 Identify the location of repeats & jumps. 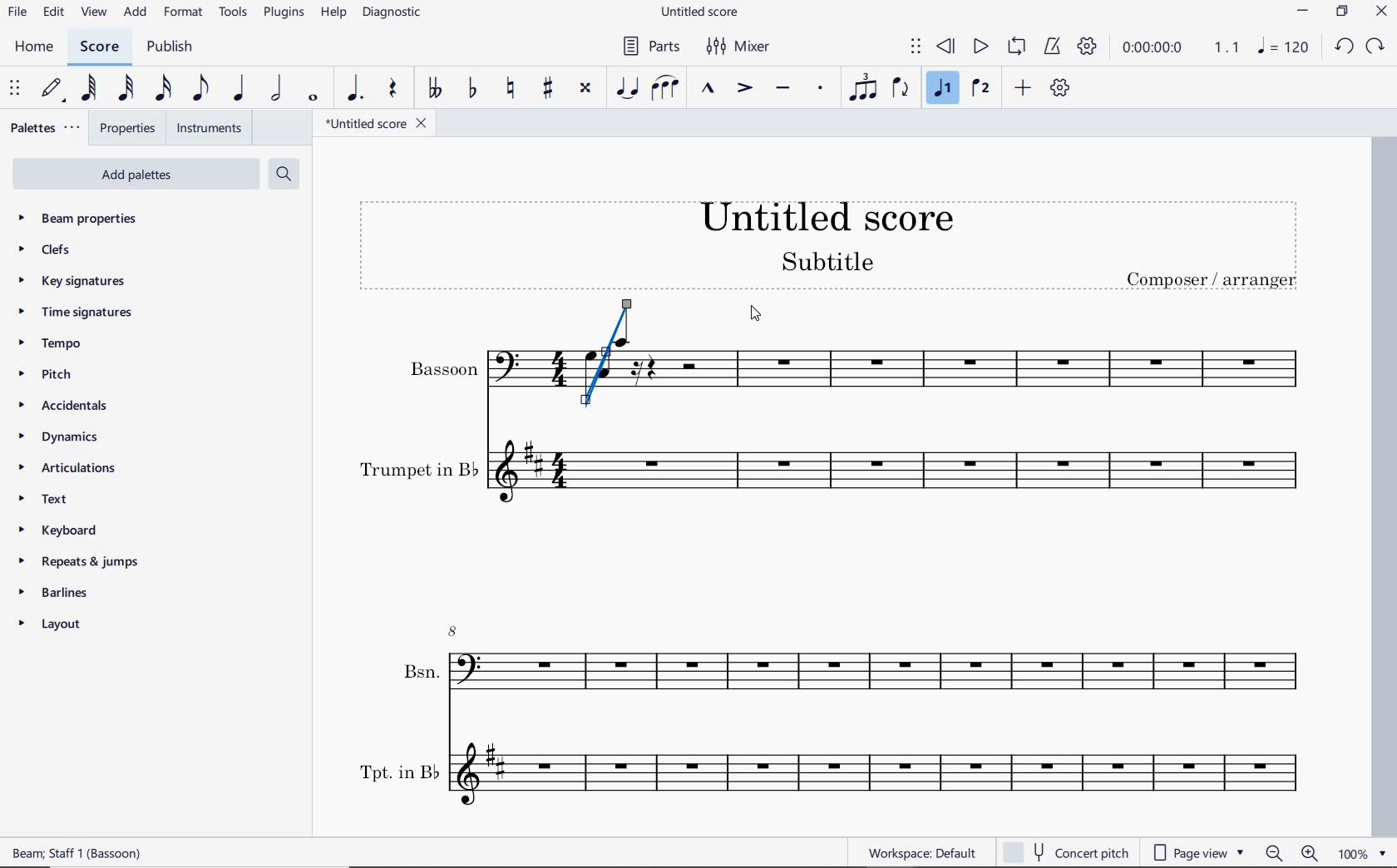
(86, 563).